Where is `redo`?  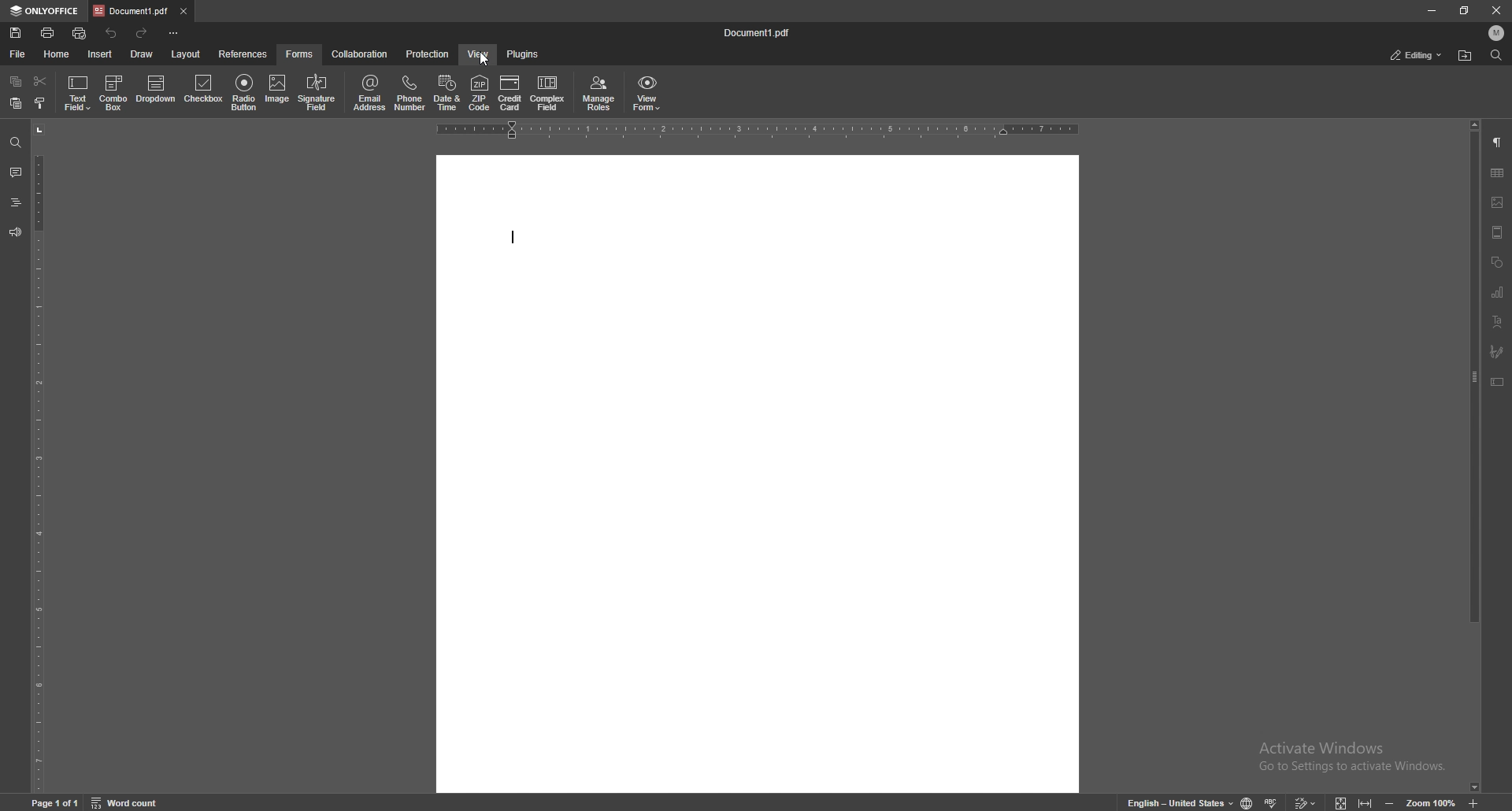 redo is located at coordinates (143, 34).